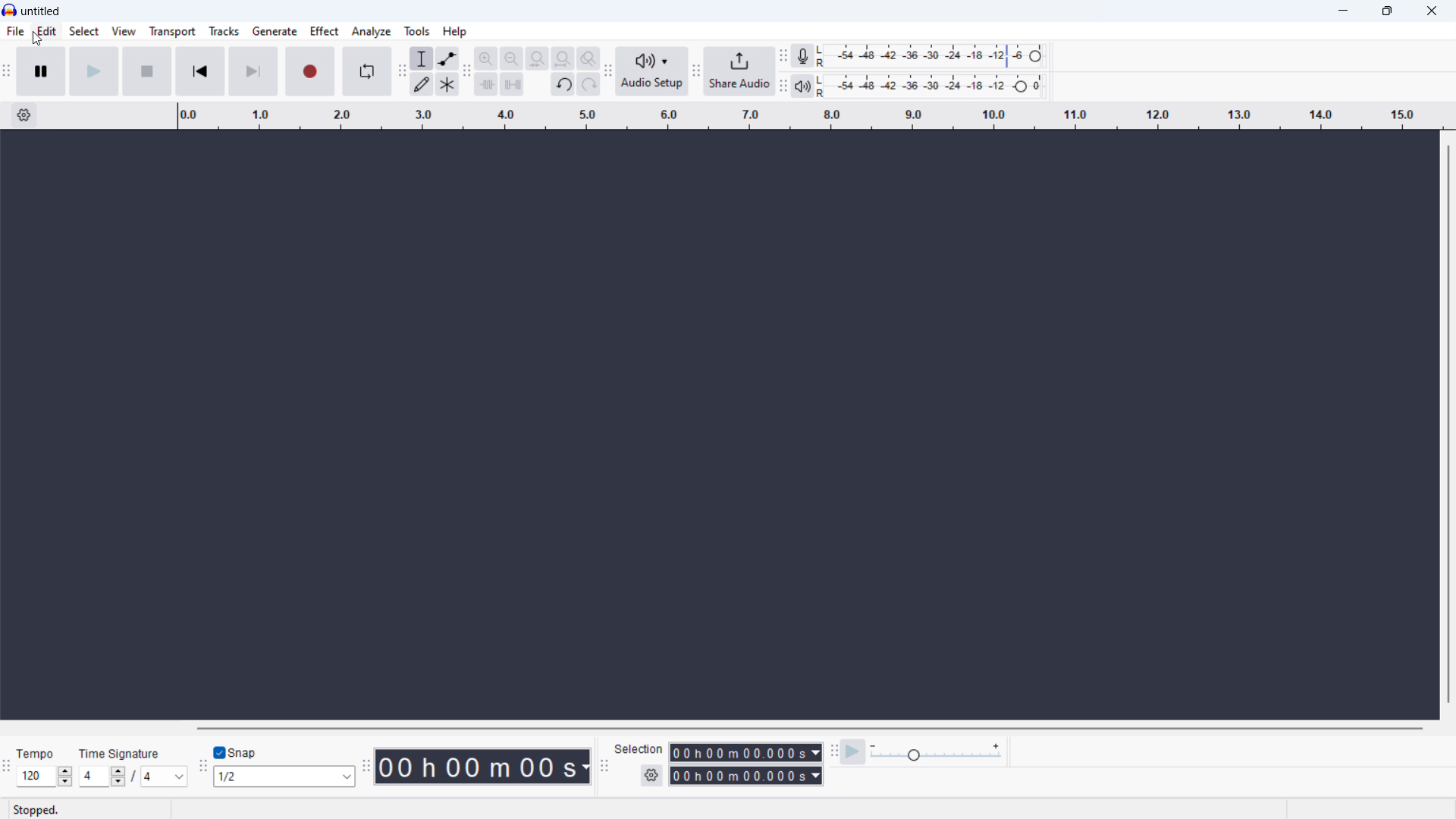 The image size is (1456, 819). What do you see at coordinates (562, 58) in the screenshot?
I see `fit project to width` at bounding box center [562, 58].